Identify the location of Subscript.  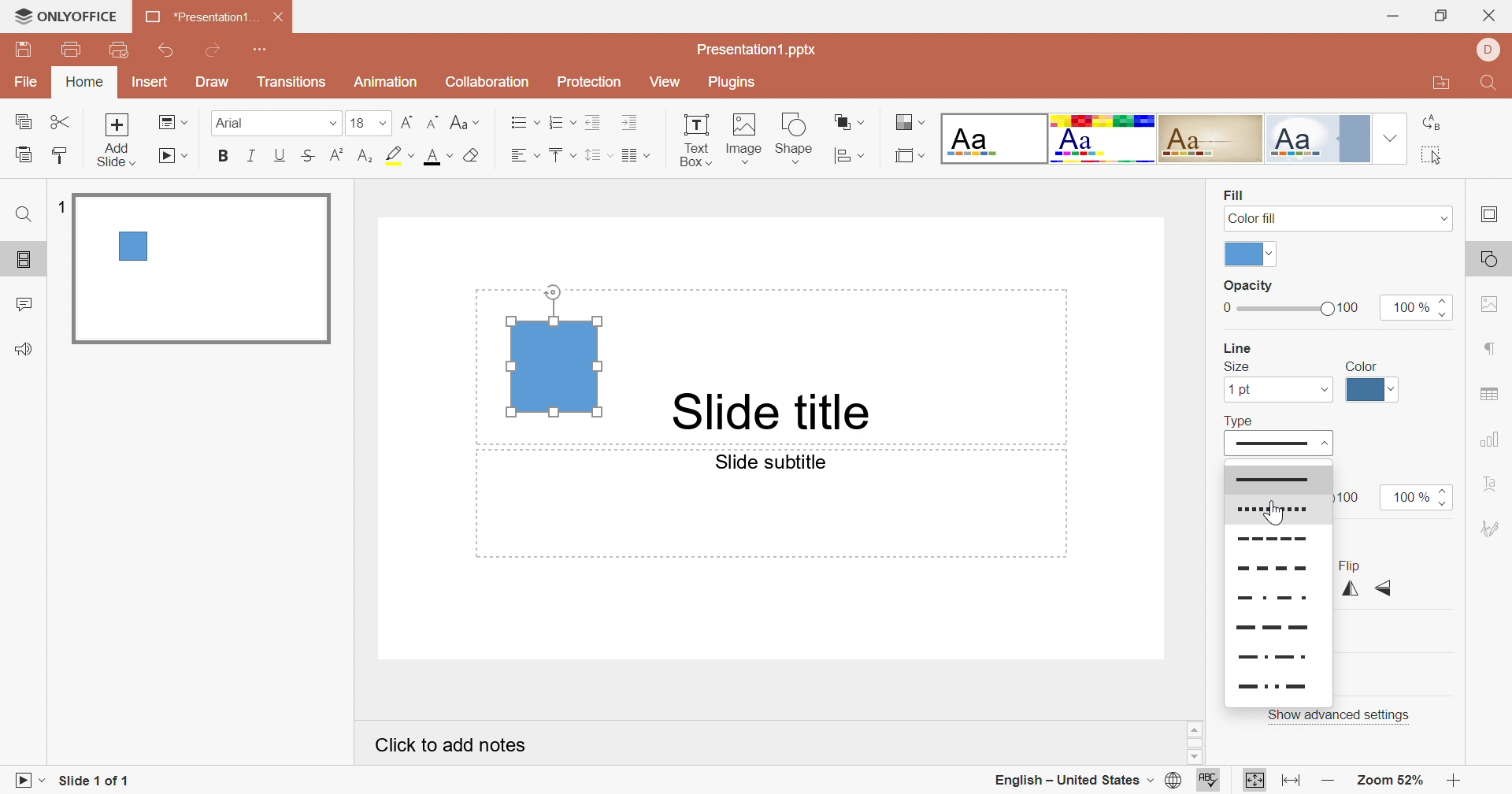
(363, 158).